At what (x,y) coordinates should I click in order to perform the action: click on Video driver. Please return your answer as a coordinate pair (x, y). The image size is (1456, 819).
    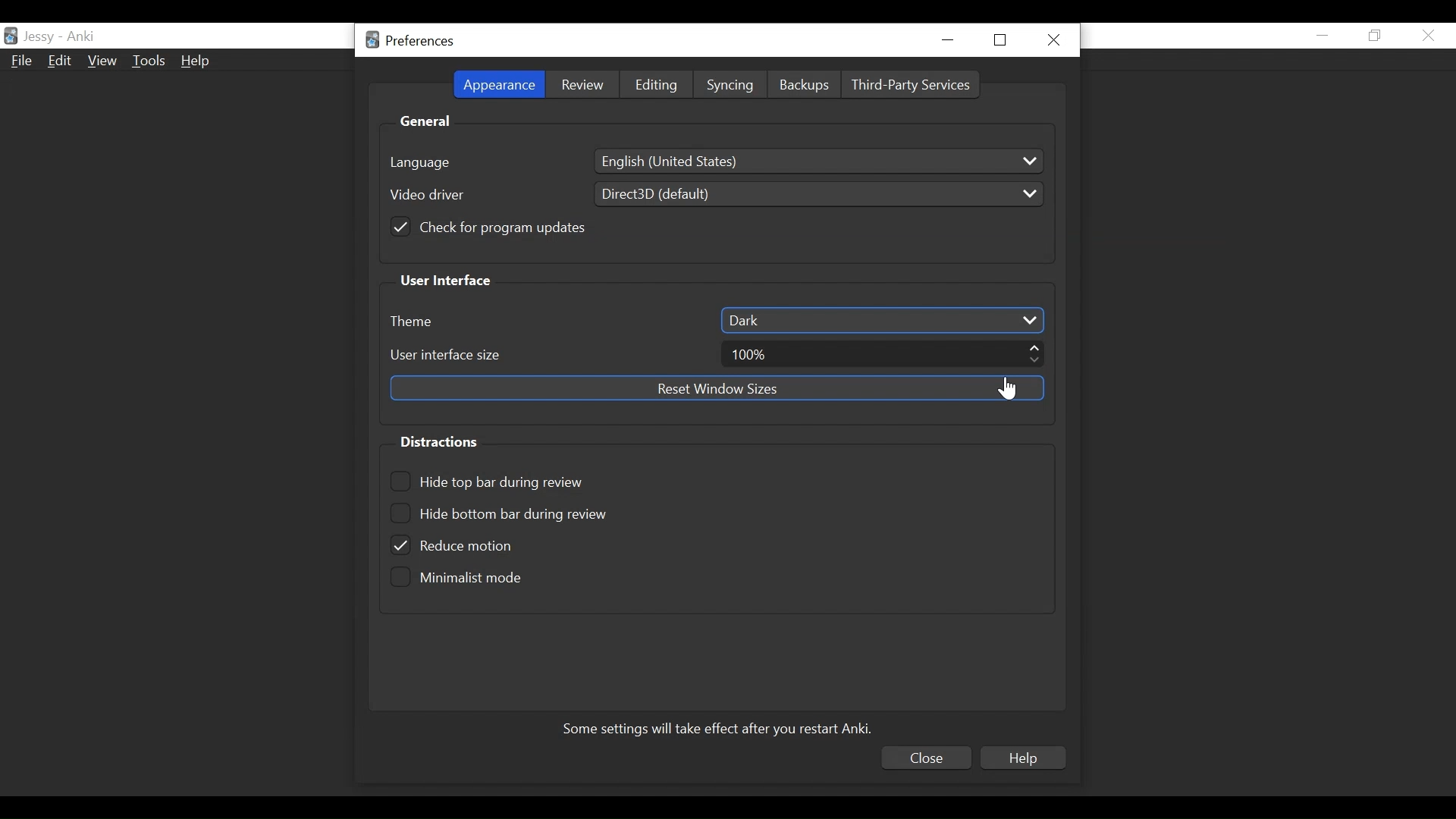
    Looking at the image, I should click on (426, 196).